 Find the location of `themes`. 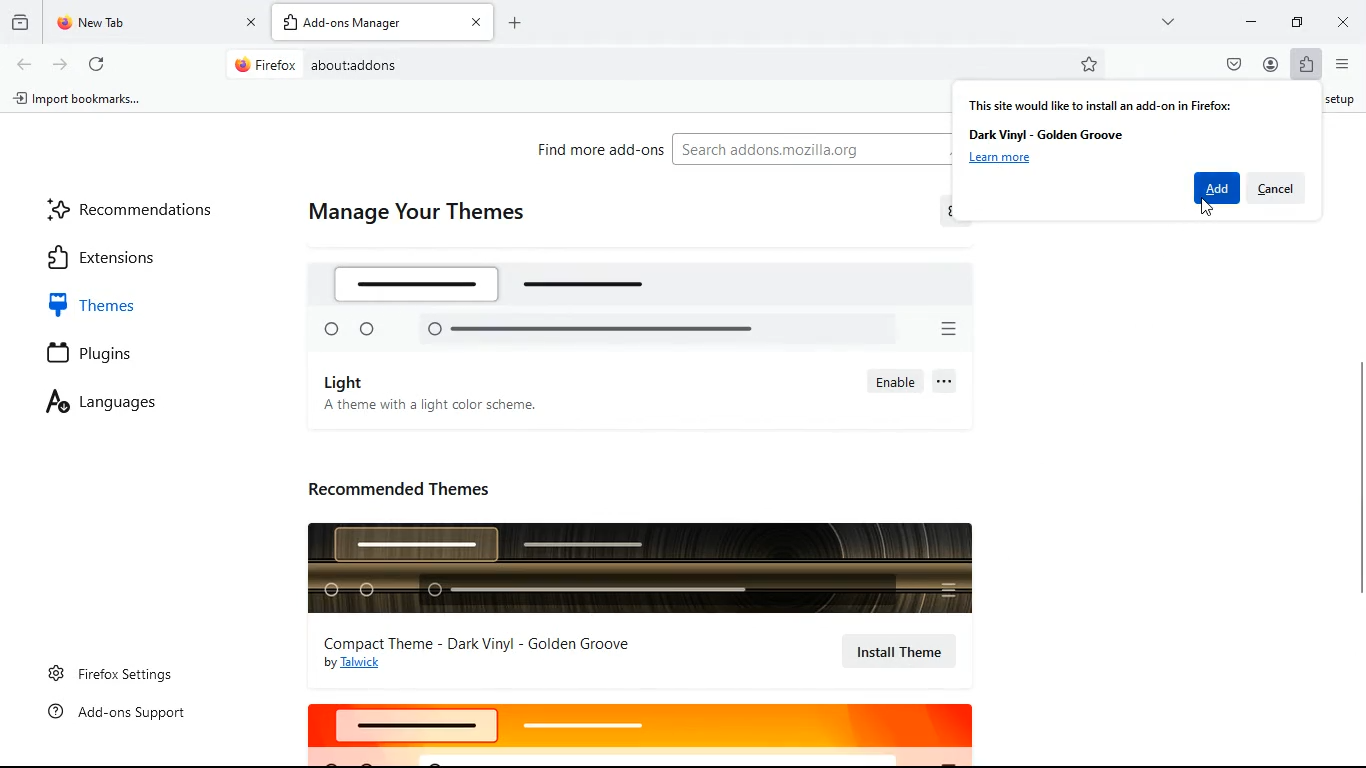

themes is located at coordinates (109, 305).